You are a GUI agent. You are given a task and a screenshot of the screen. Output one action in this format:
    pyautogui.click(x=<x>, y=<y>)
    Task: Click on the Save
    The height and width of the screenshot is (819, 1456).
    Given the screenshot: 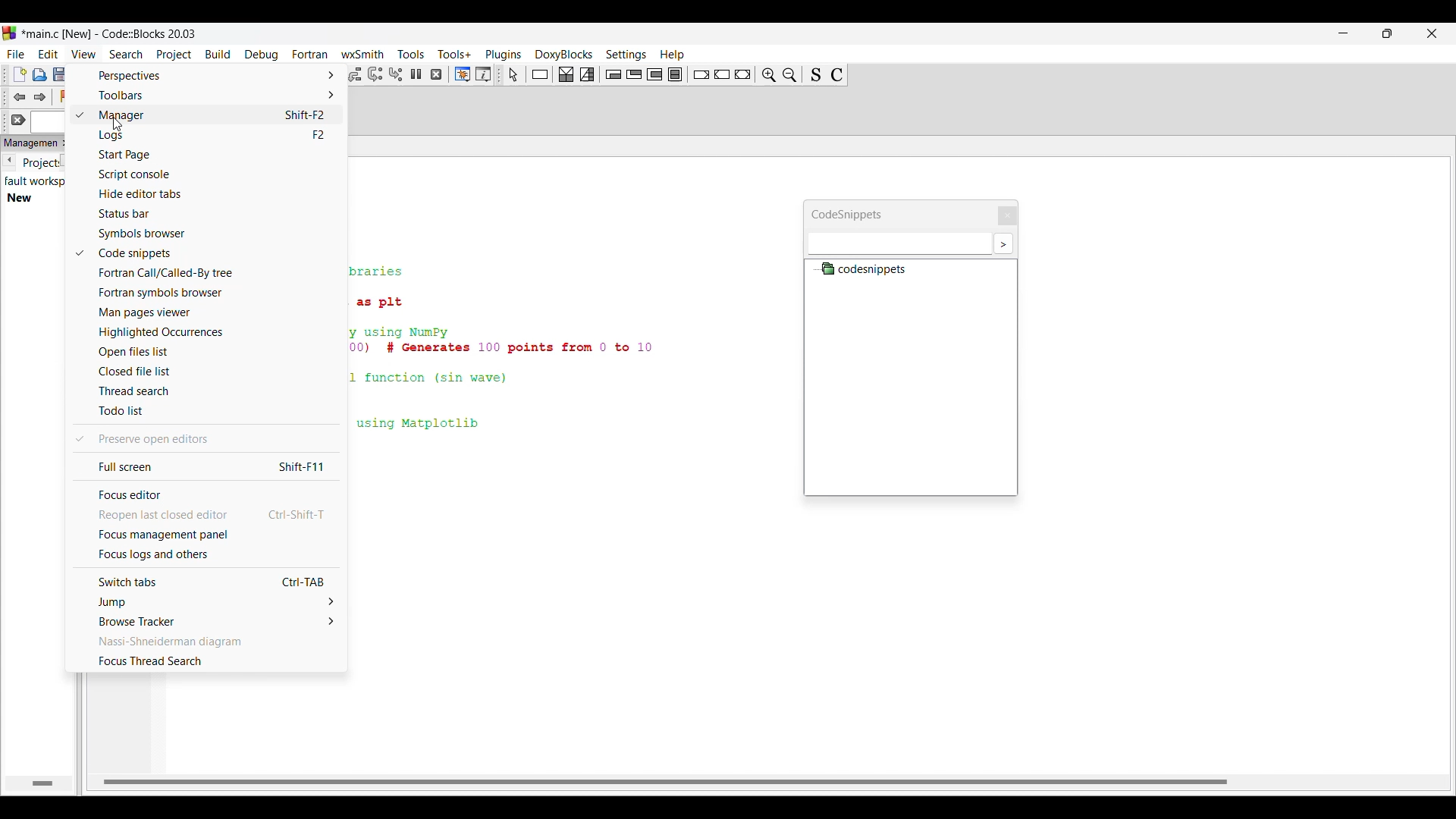 What is the action you would take?
    pyautogui.click(x=60, y=74)
    